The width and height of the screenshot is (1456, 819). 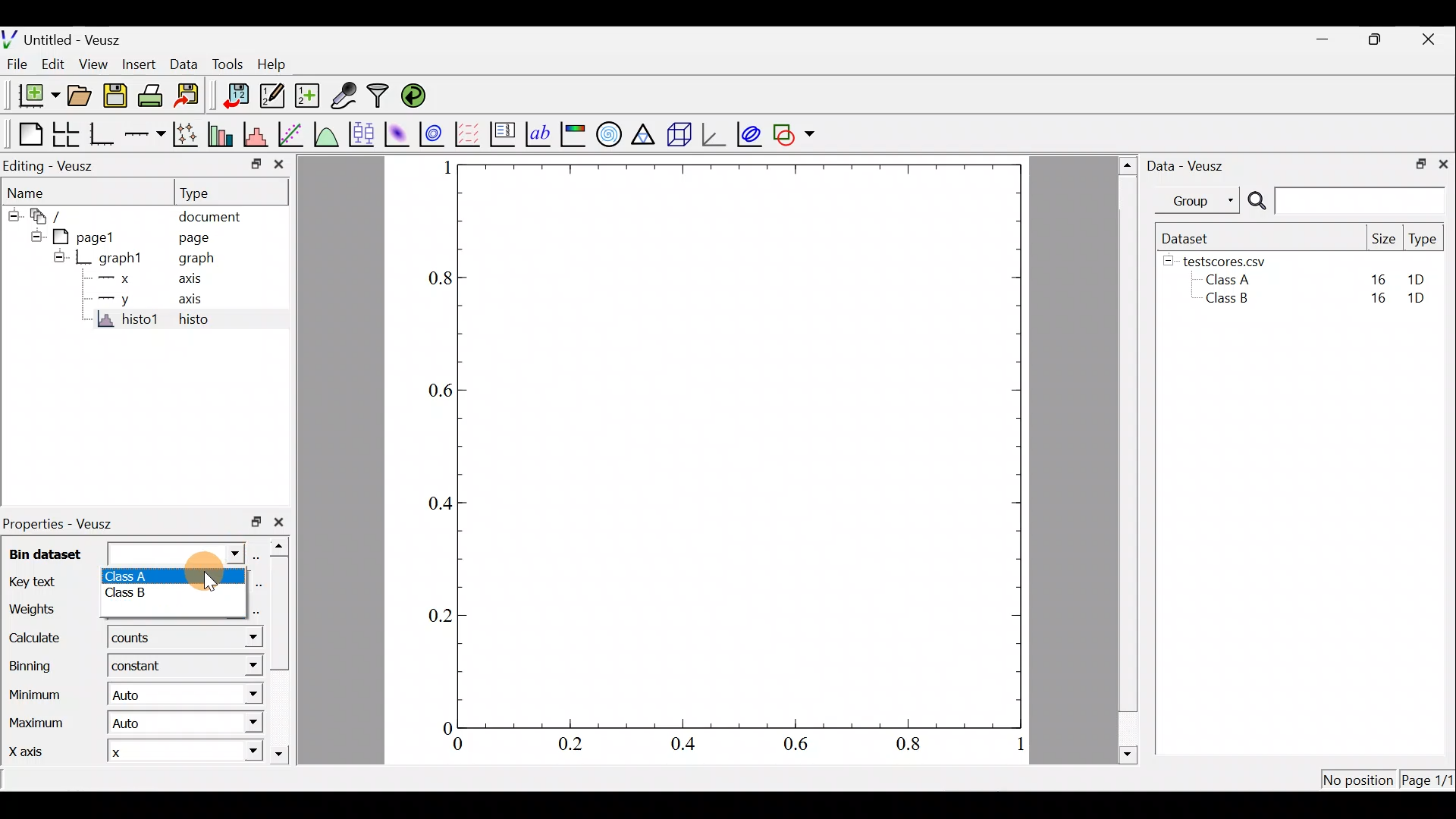 I want to click on Class B, so click(x=143, y=595).